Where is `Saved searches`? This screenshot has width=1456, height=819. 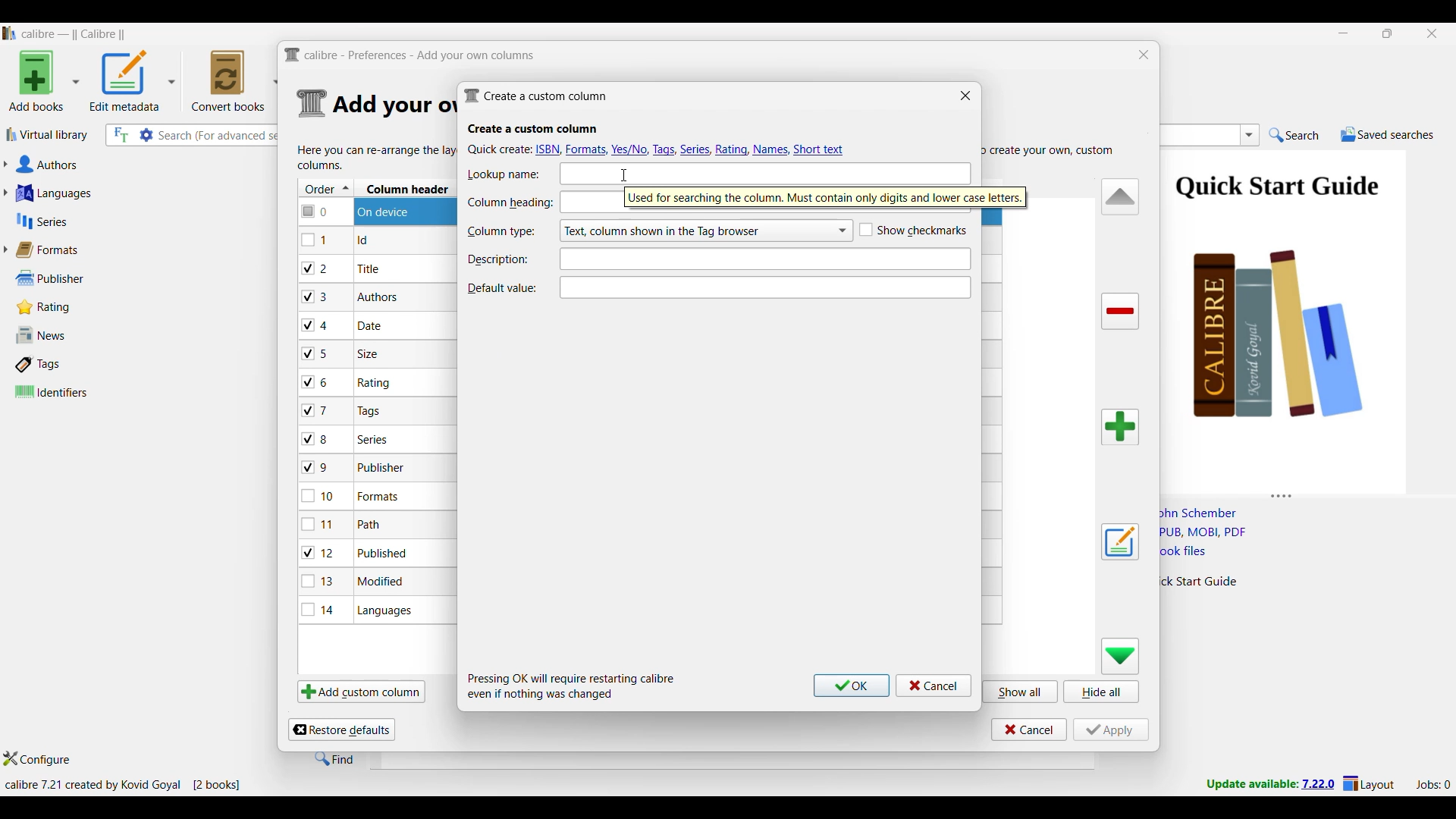
Saved searches is located at coordinates (1387, 134).